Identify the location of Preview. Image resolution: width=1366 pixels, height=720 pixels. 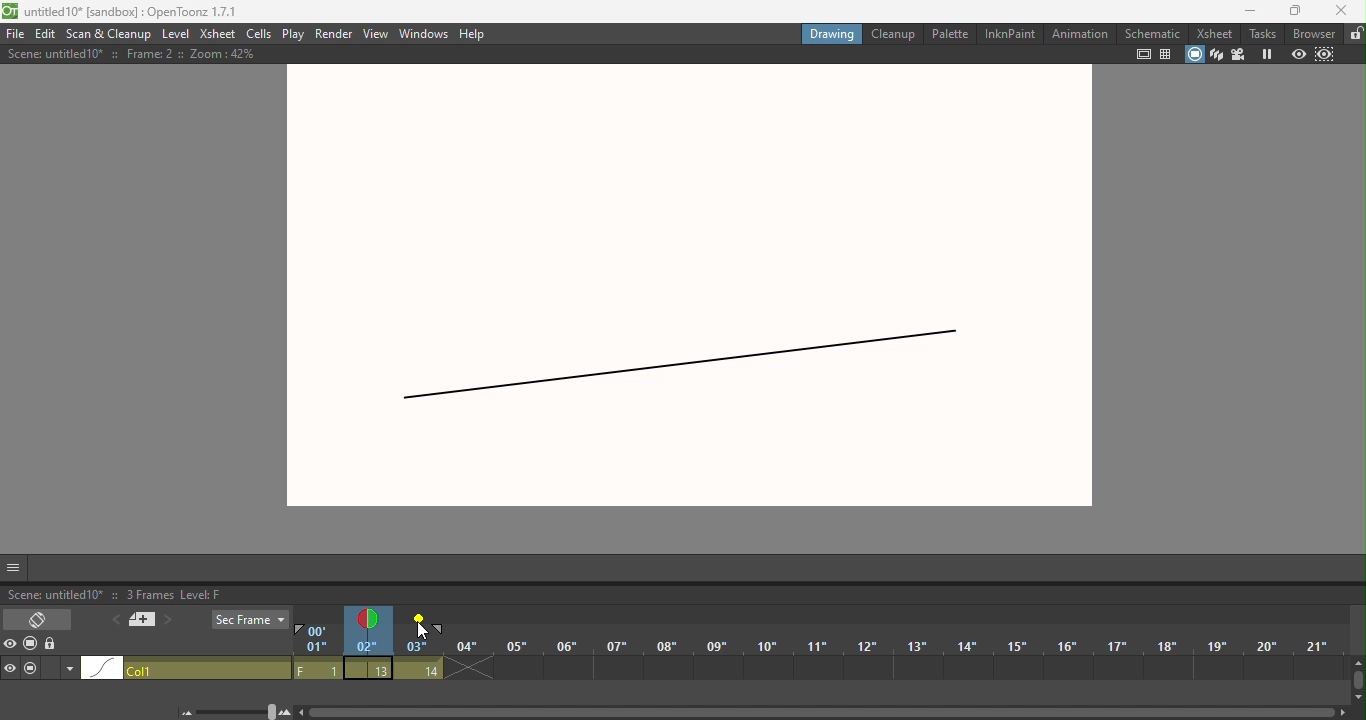
(1298, 53).